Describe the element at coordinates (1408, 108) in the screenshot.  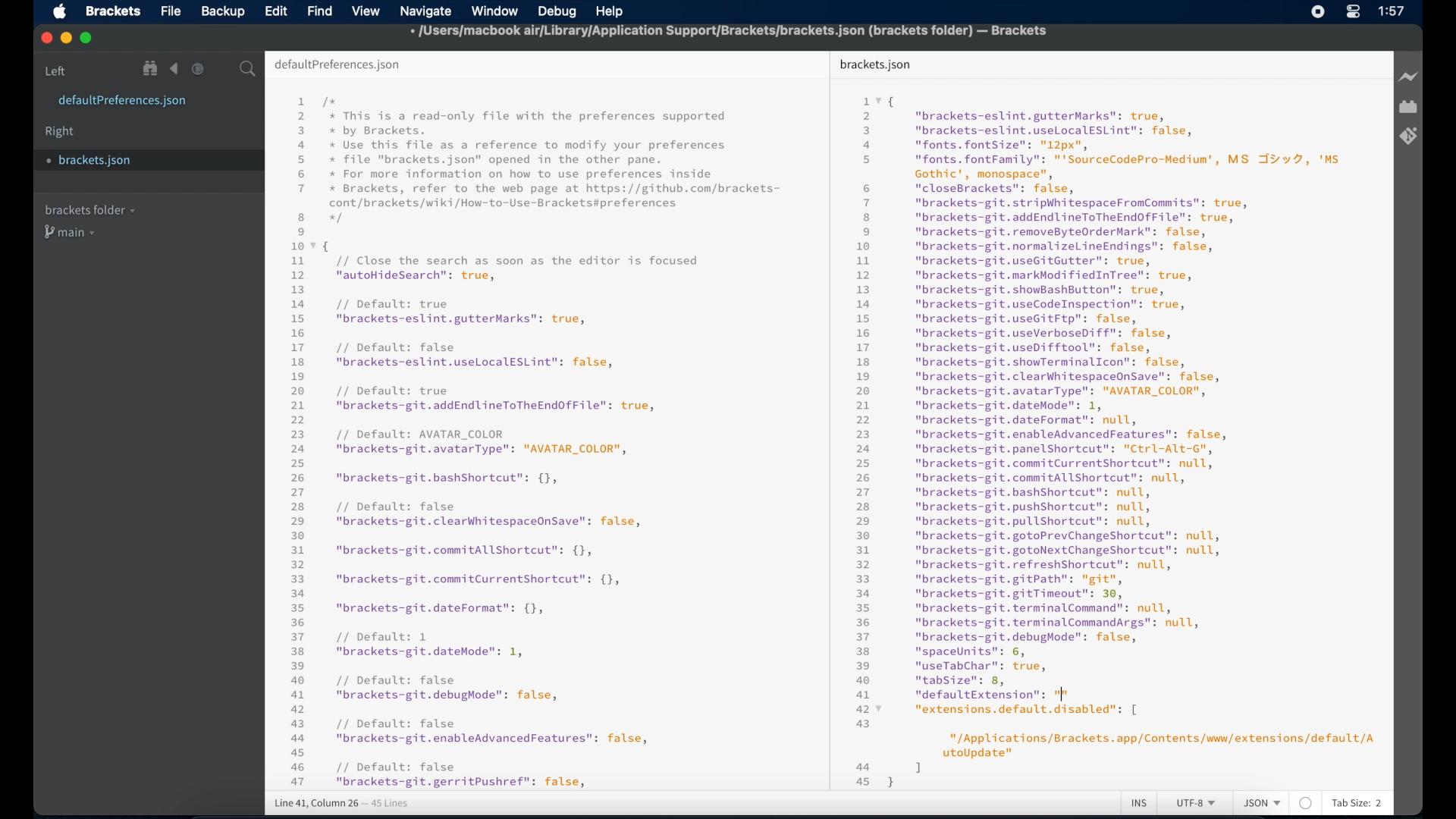
I see `extension manager` at that location.